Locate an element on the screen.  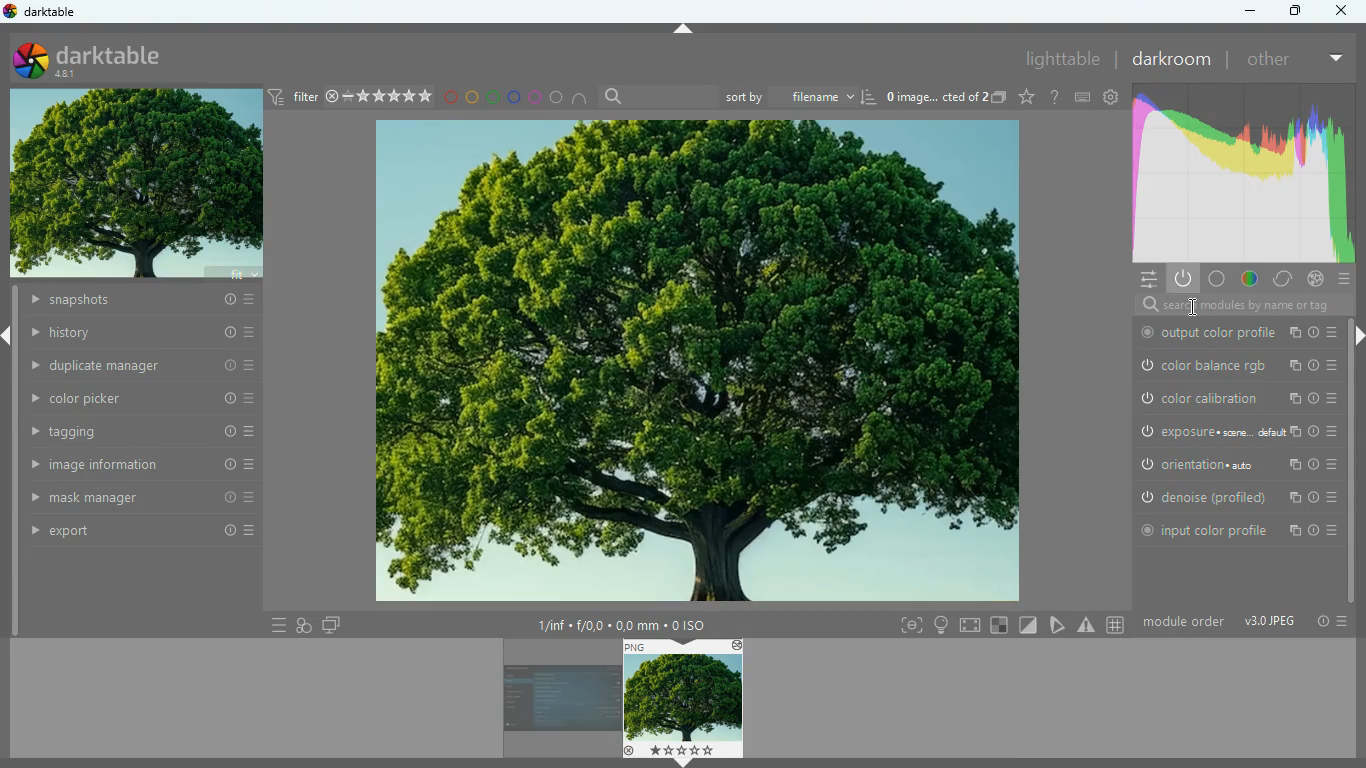
menu is located at coordinates (1343, 279).